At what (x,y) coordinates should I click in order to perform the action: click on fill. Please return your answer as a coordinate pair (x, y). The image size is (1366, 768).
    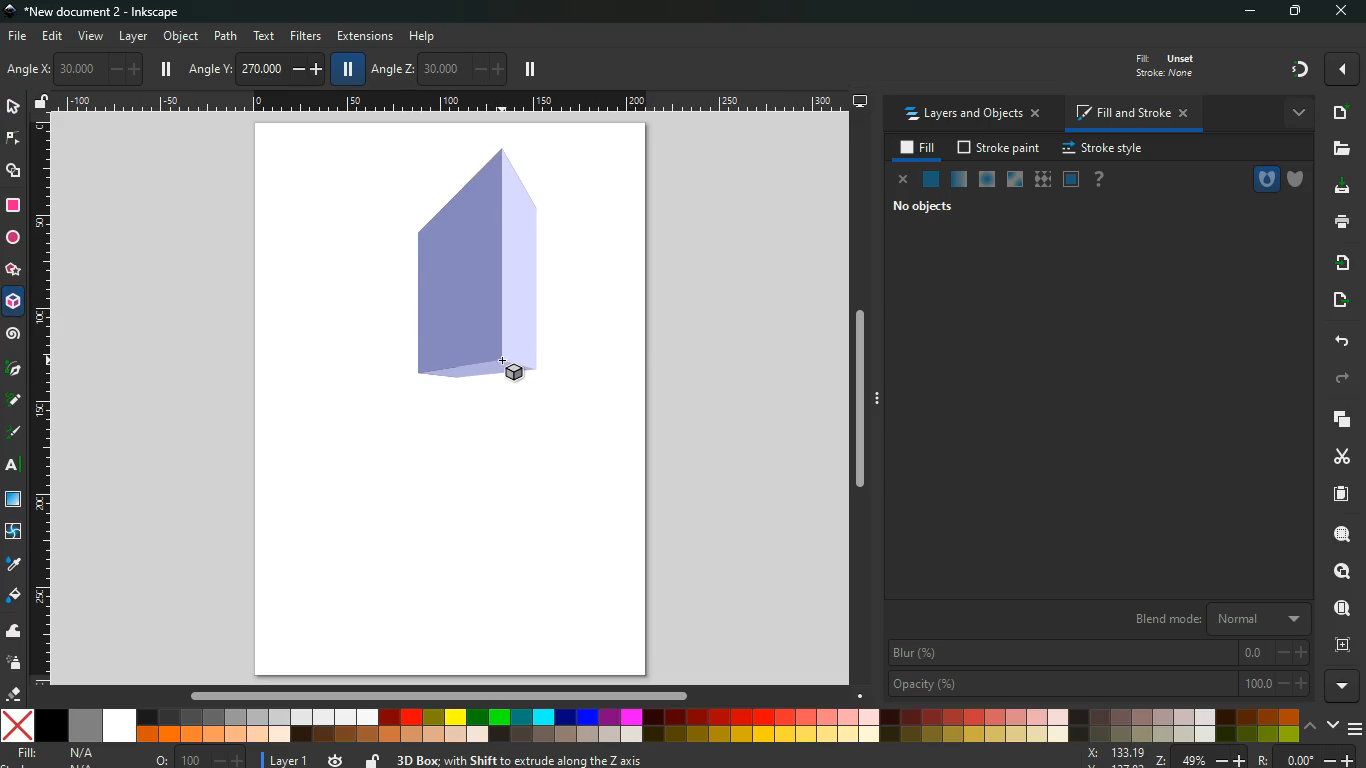
    Looking at the image, I should click on (69, 755).